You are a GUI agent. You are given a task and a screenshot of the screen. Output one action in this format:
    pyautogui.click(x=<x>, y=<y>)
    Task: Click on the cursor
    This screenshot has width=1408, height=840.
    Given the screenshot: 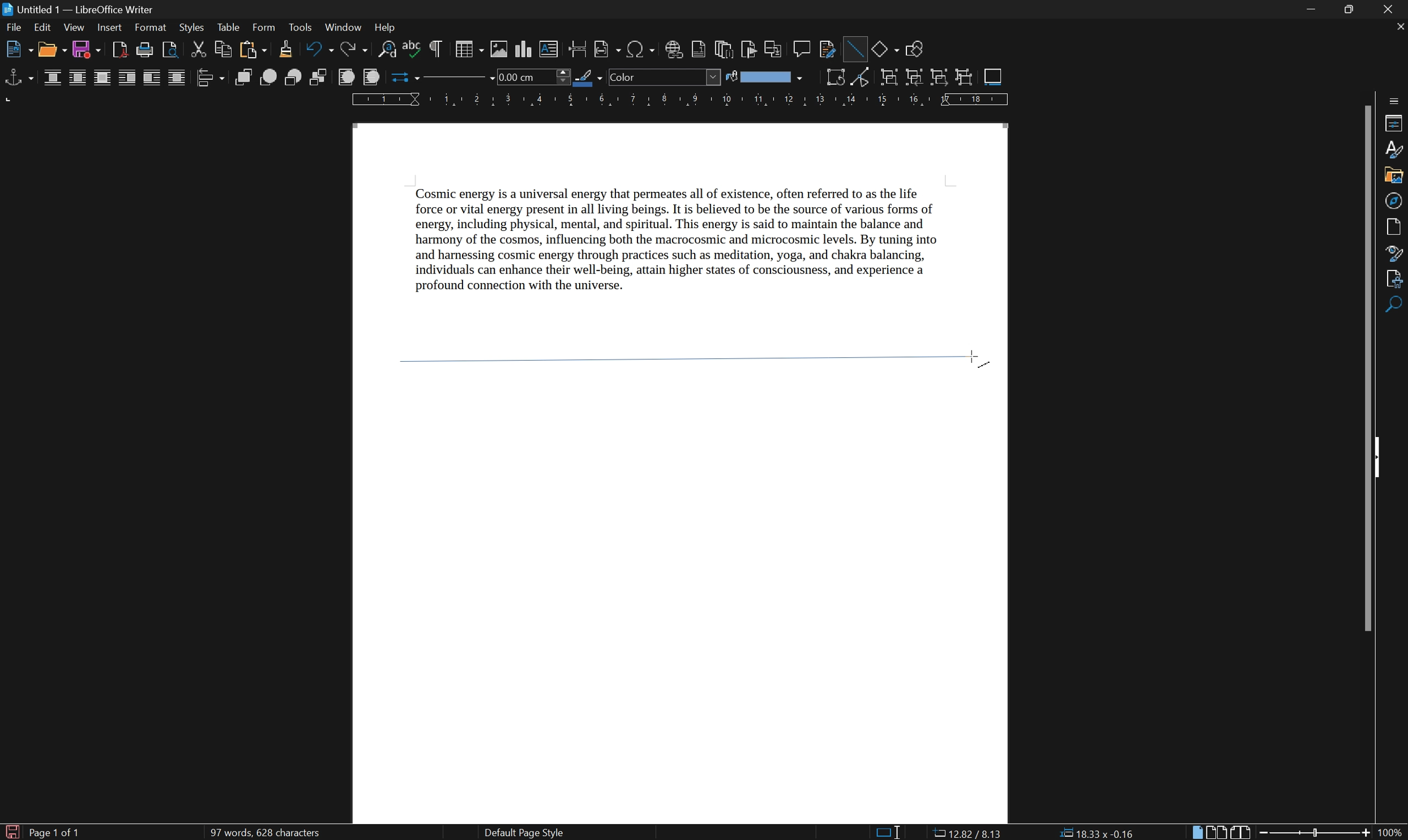 What is the action you would take?
    pyautogui.click(x=974, y=357)
    